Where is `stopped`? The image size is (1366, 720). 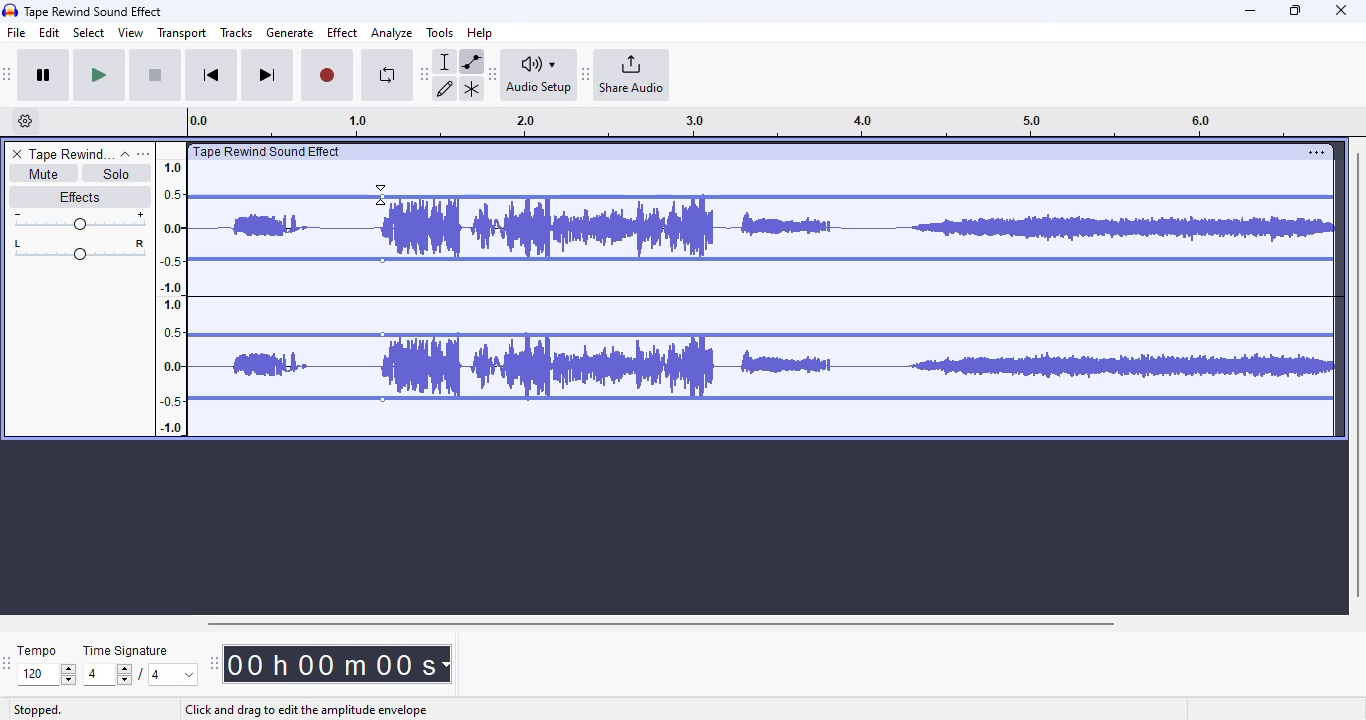
stopped is located at coordinates (38, 711).